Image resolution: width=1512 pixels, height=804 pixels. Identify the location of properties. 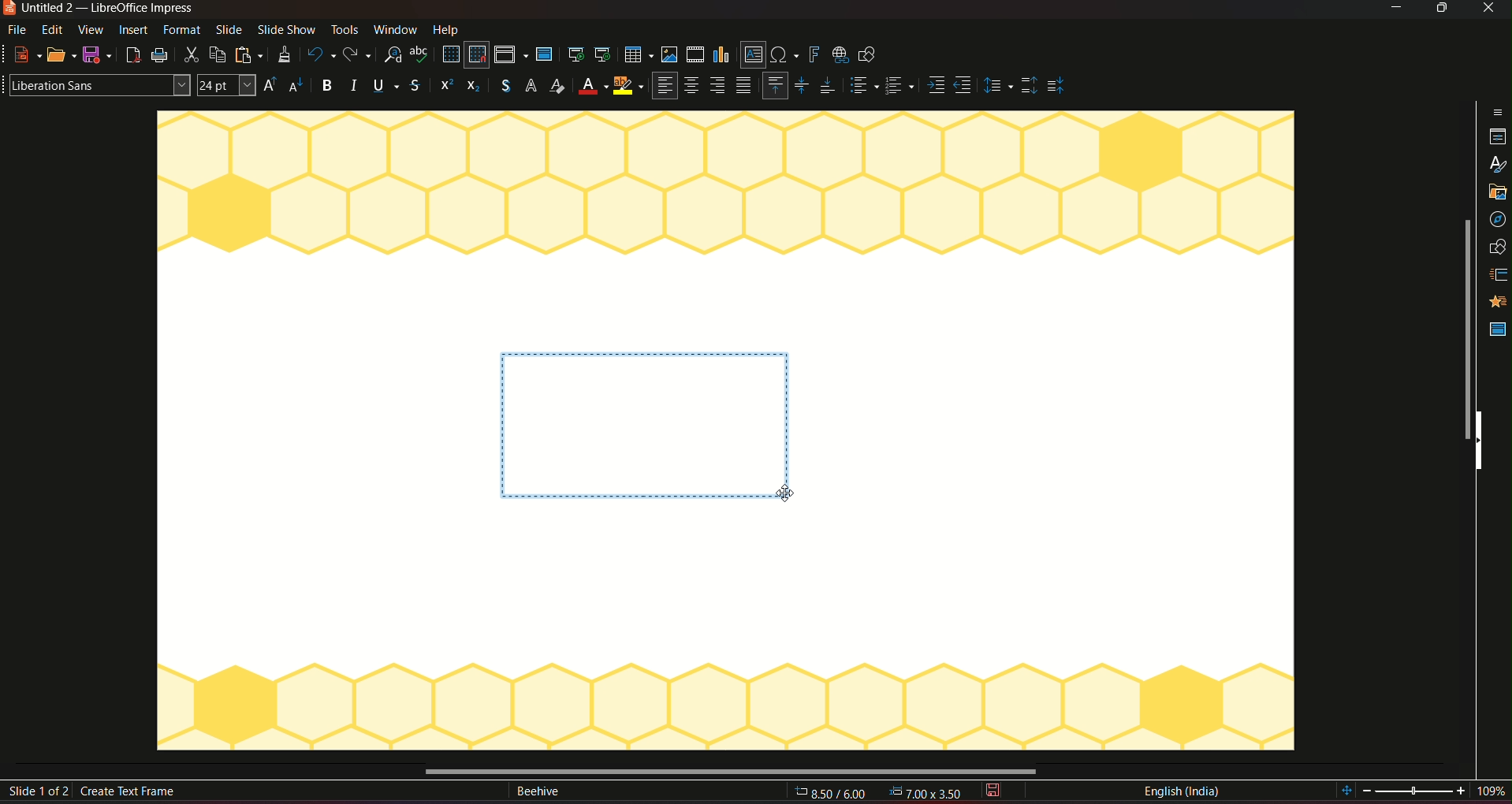
(1496, 106).